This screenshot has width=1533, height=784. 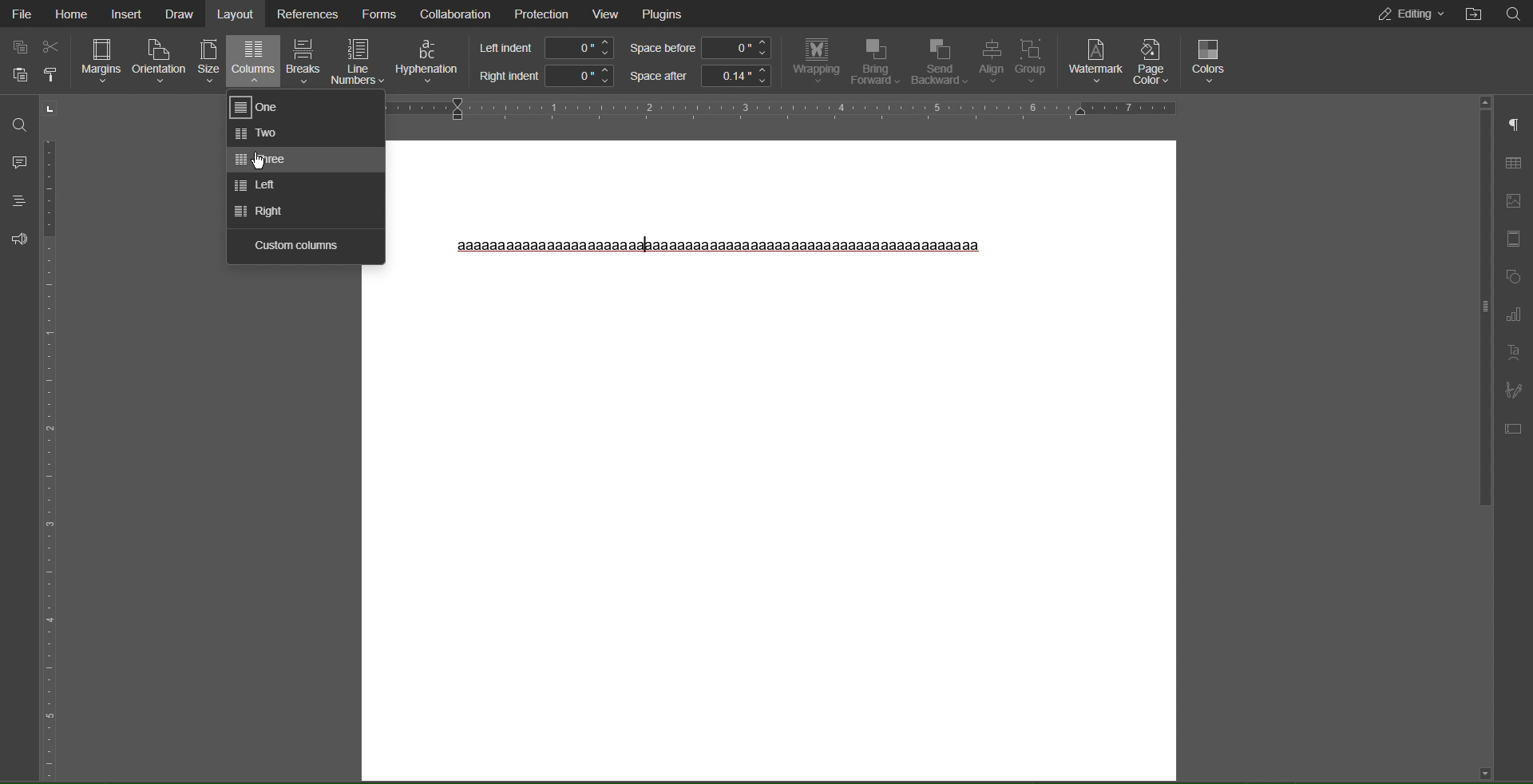 I want to click on Table Settings, so click(x=1514, y=162).